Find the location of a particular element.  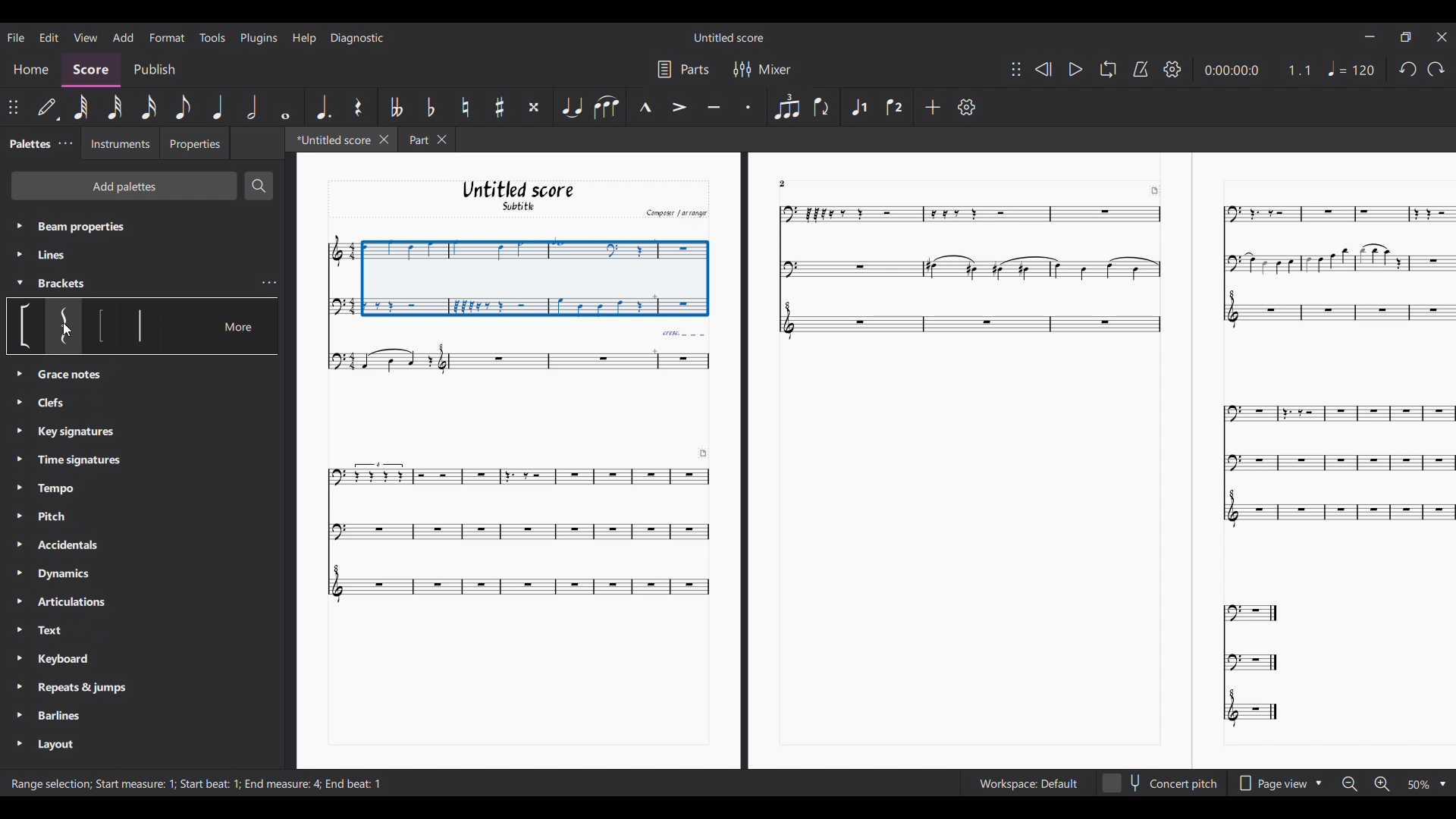

Zoom options is located at coordinates (1418, 785).